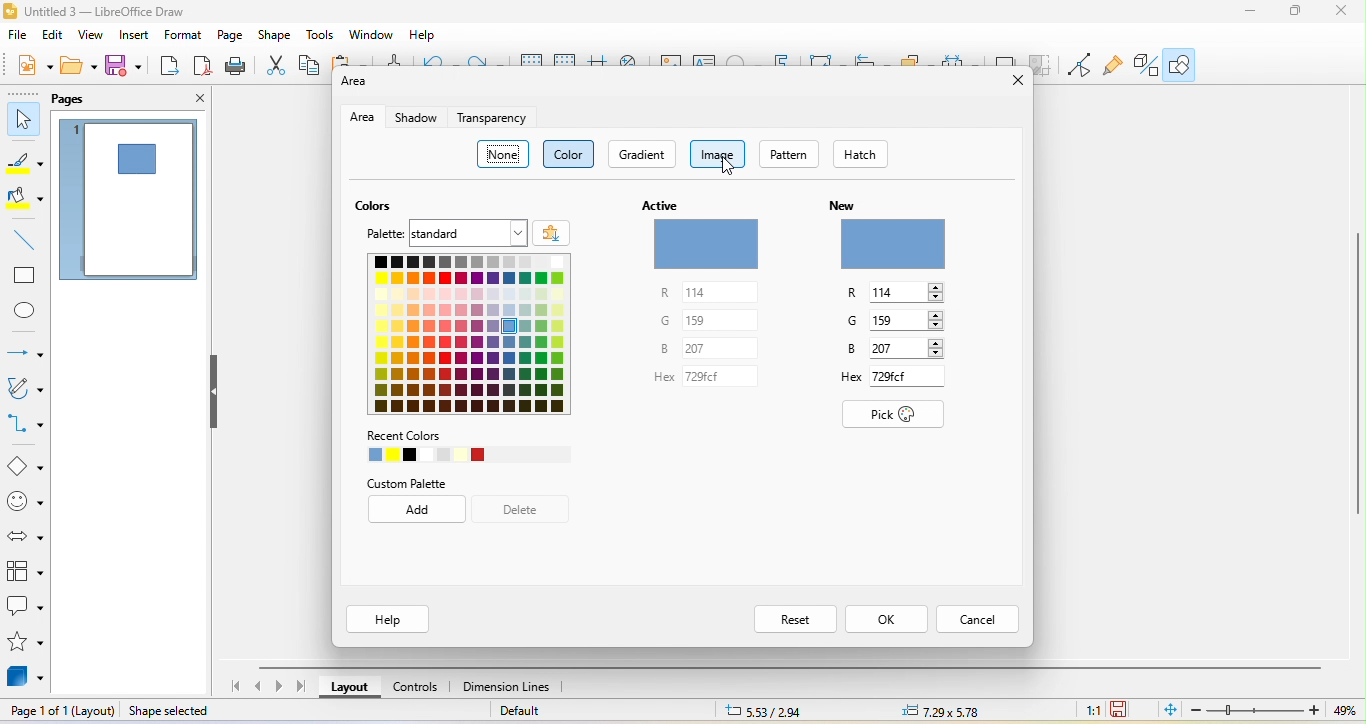 The width and height of the screenshot is (1366, 724). I want to click on line color, so click(24, 164).